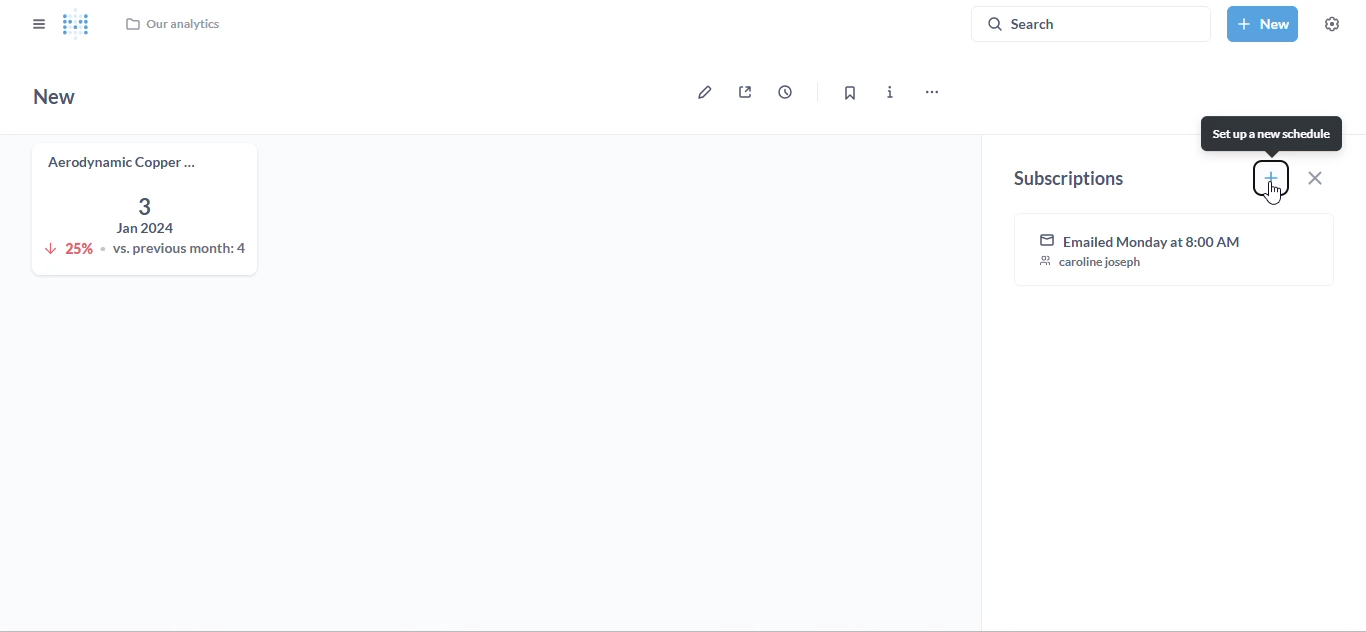  What do you see at coordinates (141, 207) in the screenshot?
I see `aerodynamic copper knife trend` at bounding box center [141, 207].